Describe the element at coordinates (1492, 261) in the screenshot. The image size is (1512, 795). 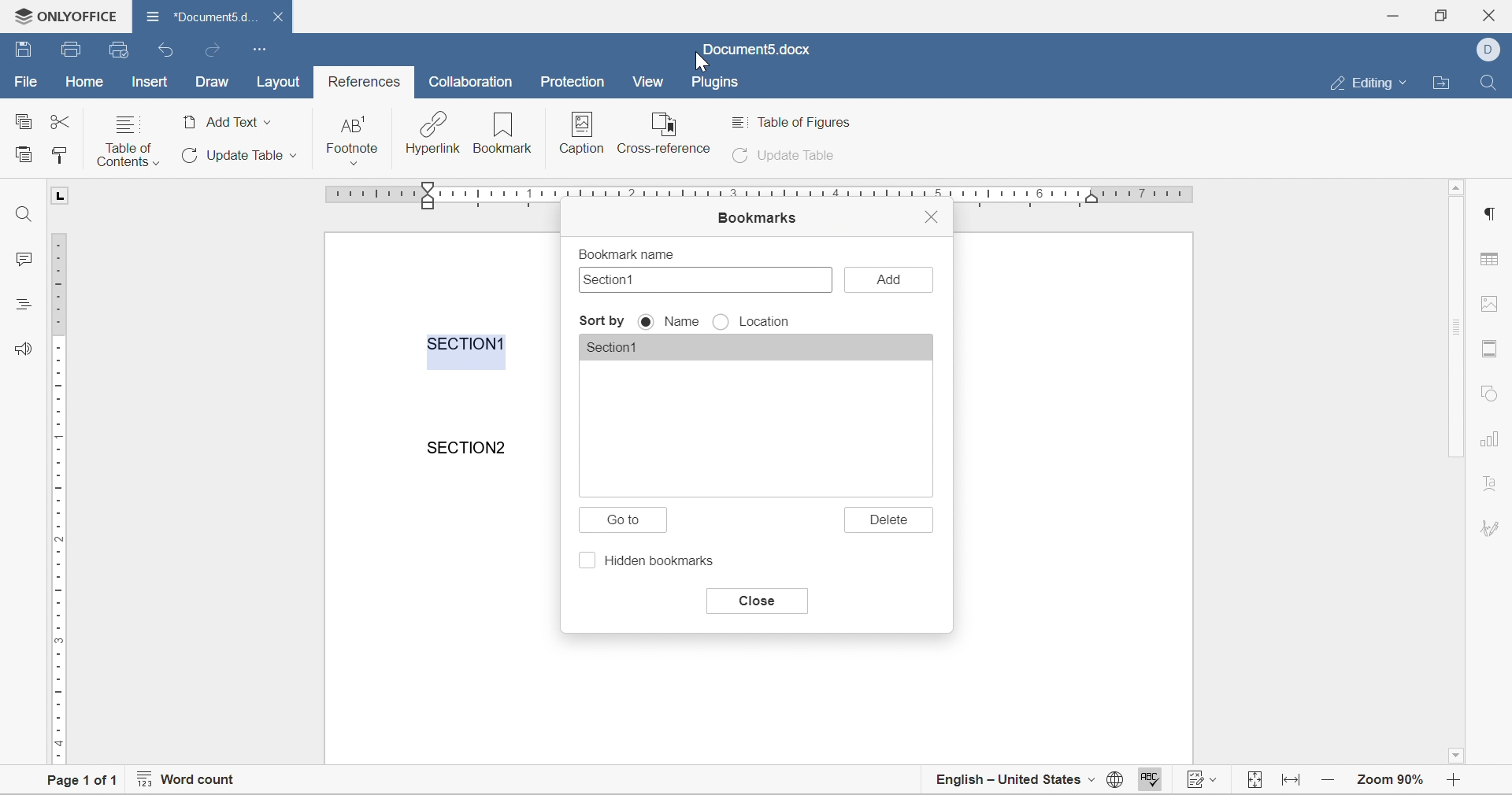
I see `table settings` at that location.